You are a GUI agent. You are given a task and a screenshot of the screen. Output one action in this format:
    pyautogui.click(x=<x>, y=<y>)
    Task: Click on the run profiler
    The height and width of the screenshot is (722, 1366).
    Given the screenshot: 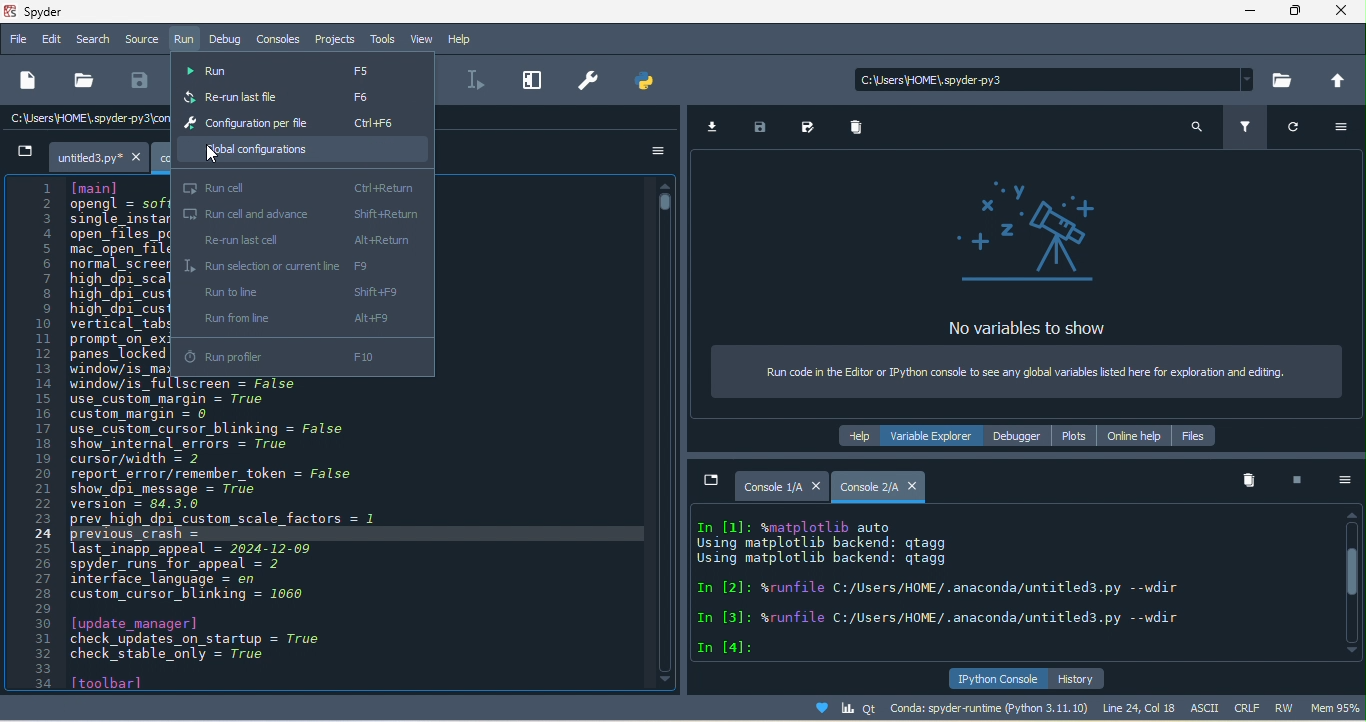 What is the action you would take?
    pyautogui.click(x=293, y=358)
    